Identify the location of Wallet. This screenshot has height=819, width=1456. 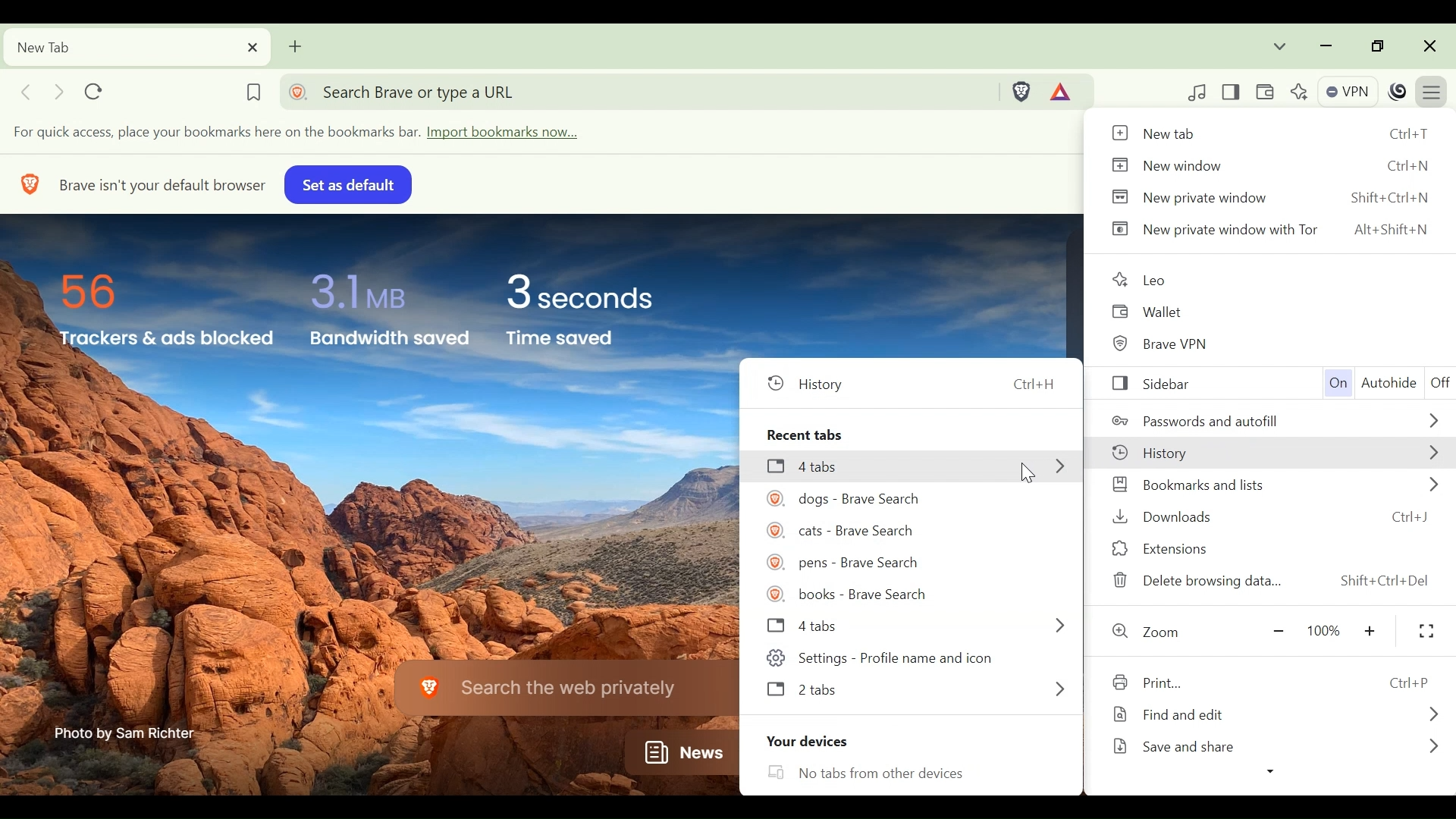
(1157, 311).